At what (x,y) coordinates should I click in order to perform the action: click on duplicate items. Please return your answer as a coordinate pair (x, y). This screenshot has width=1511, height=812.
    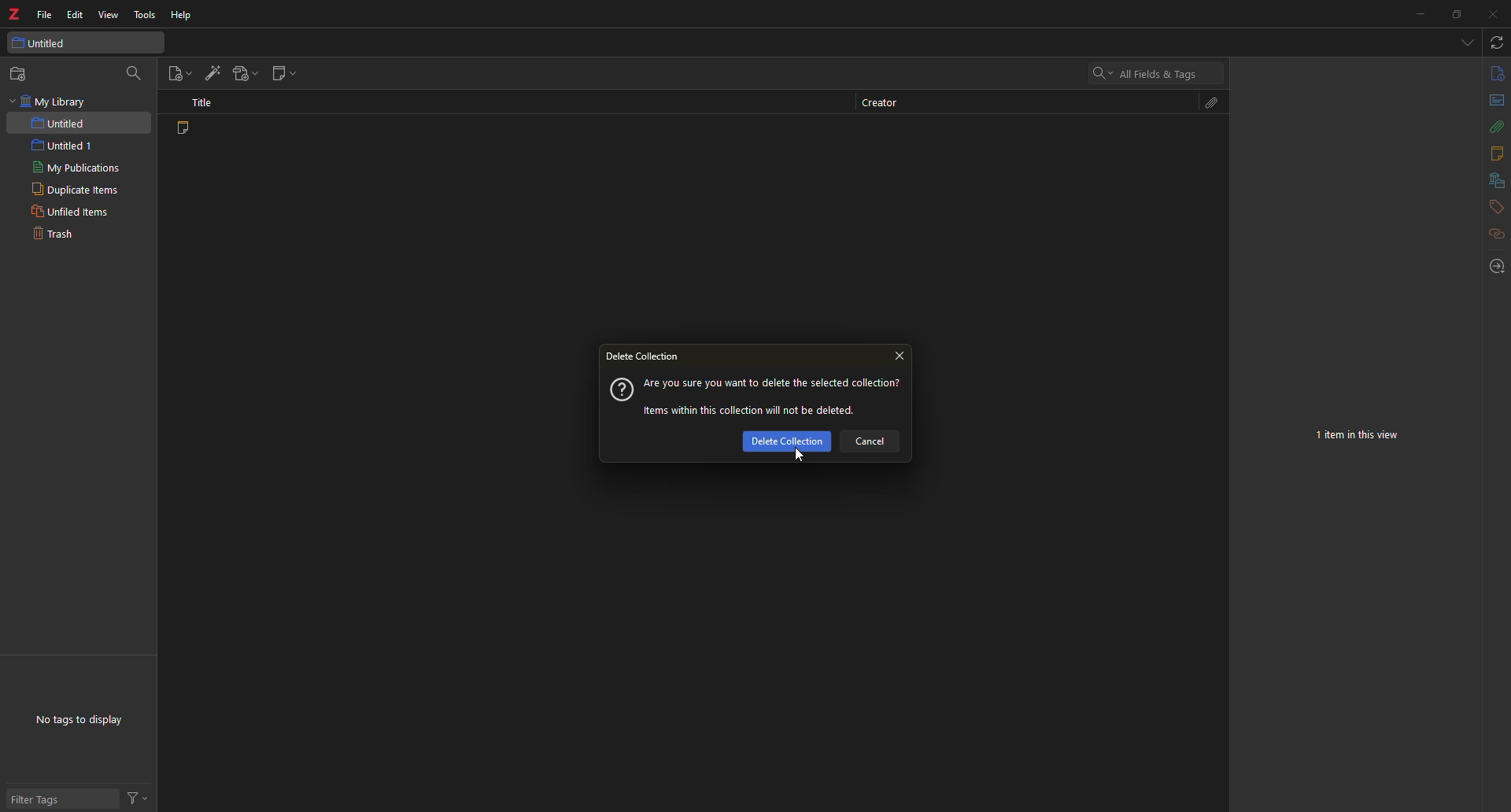
    Looking at the image, I should click on (80, 192).